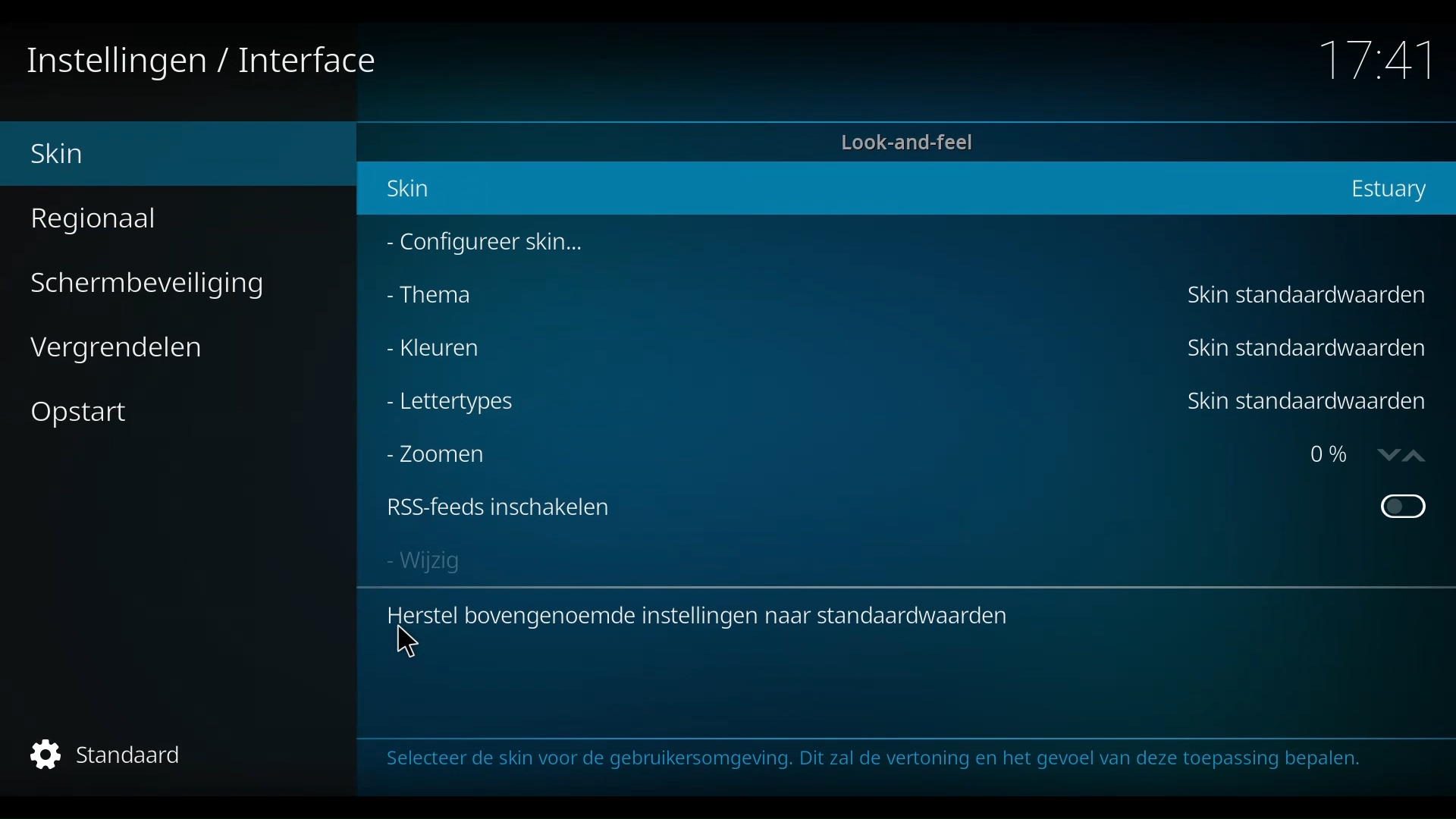 This screenshot has width=1456, height=819. I want to click on Zoomen, so click(433, 451).